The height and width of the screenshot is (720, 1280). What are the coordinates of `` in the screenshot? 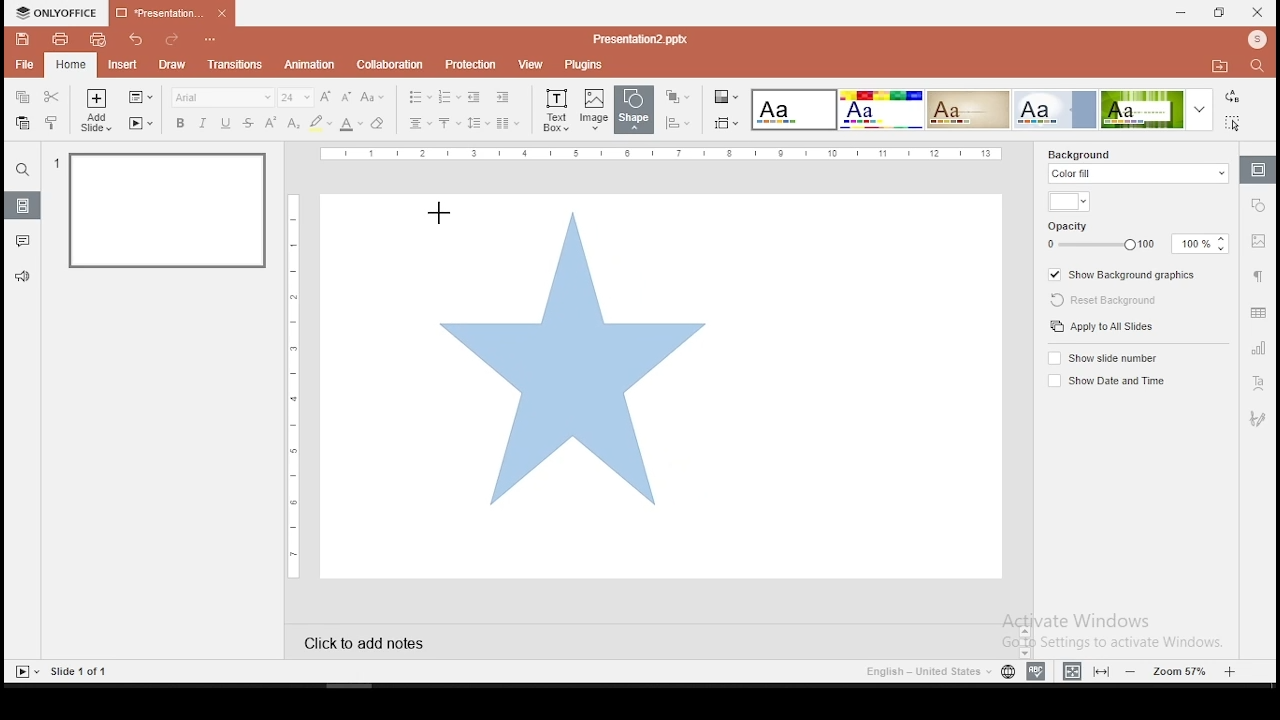 It's located at (1256, 419).